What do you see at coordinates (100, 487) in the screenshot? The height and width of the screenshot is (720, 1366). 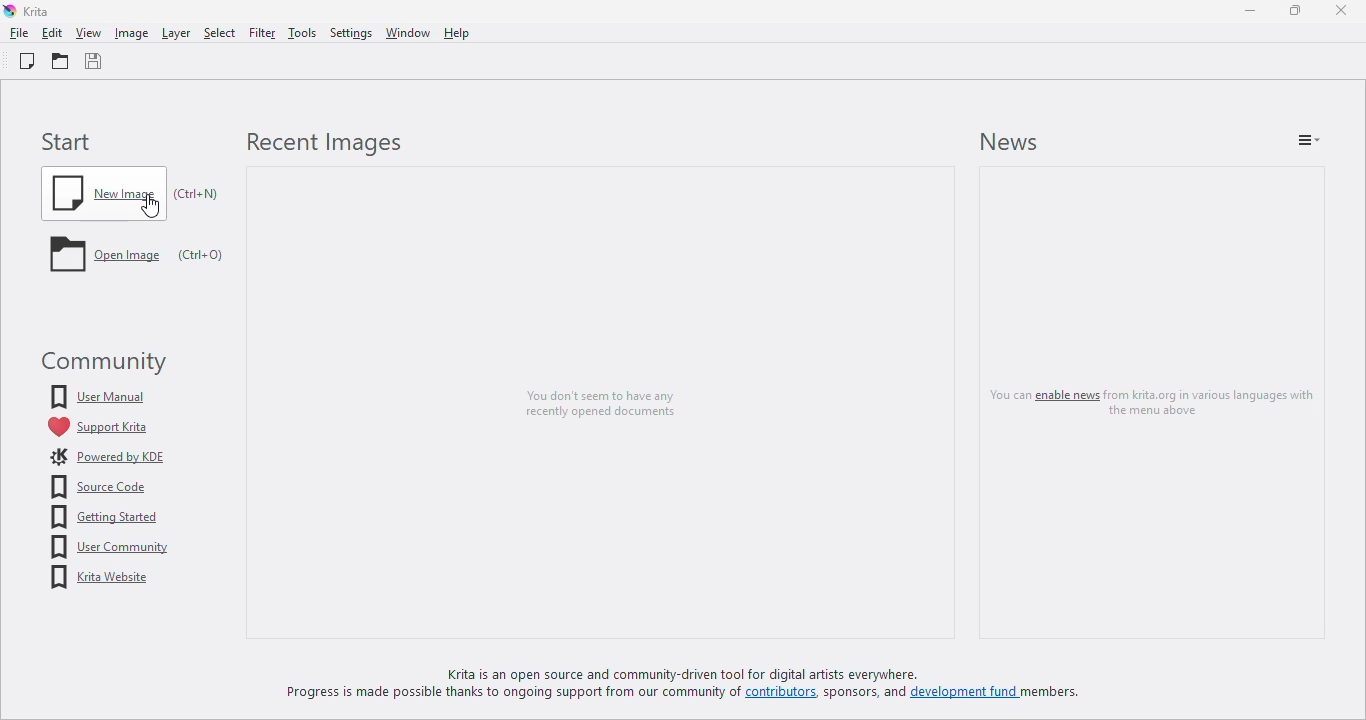 I see `source code` at bounding box center [100, 487].